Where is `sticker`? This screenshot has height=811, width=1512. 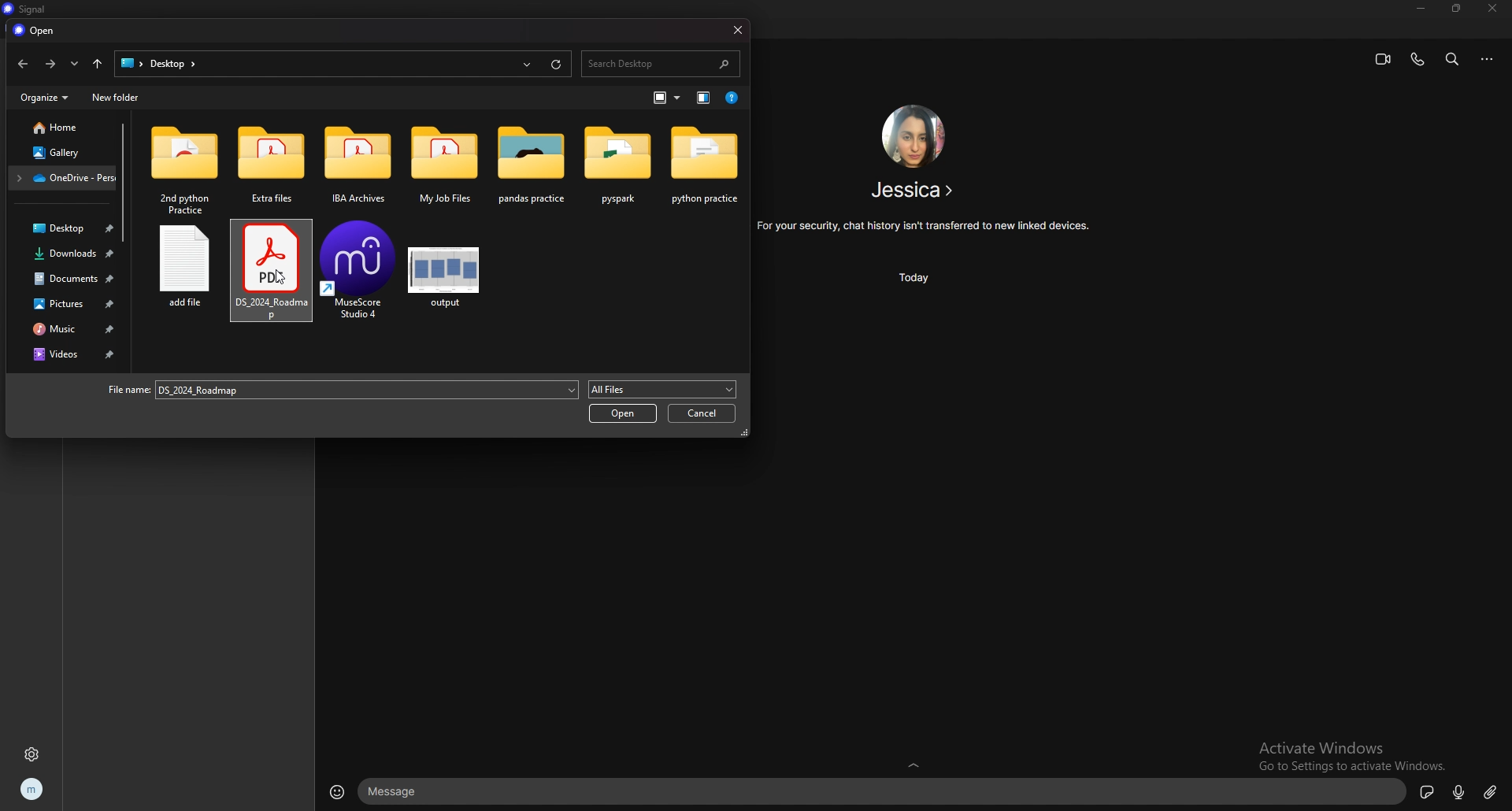 sticker is located at coordinates (1427, 791).